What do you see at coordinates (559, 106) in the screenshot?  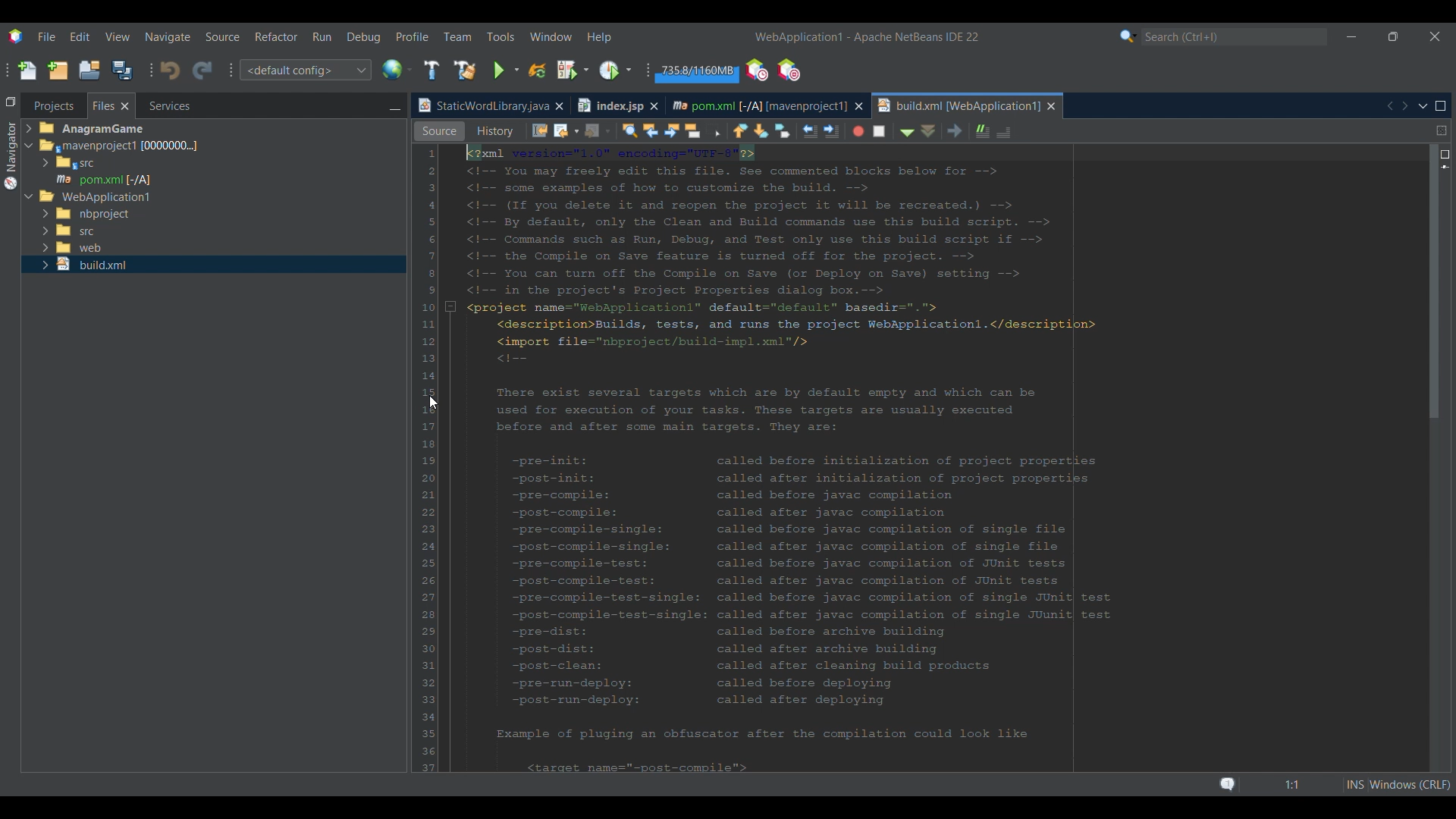 I see `Close tab` at bounding box center [559, 106].